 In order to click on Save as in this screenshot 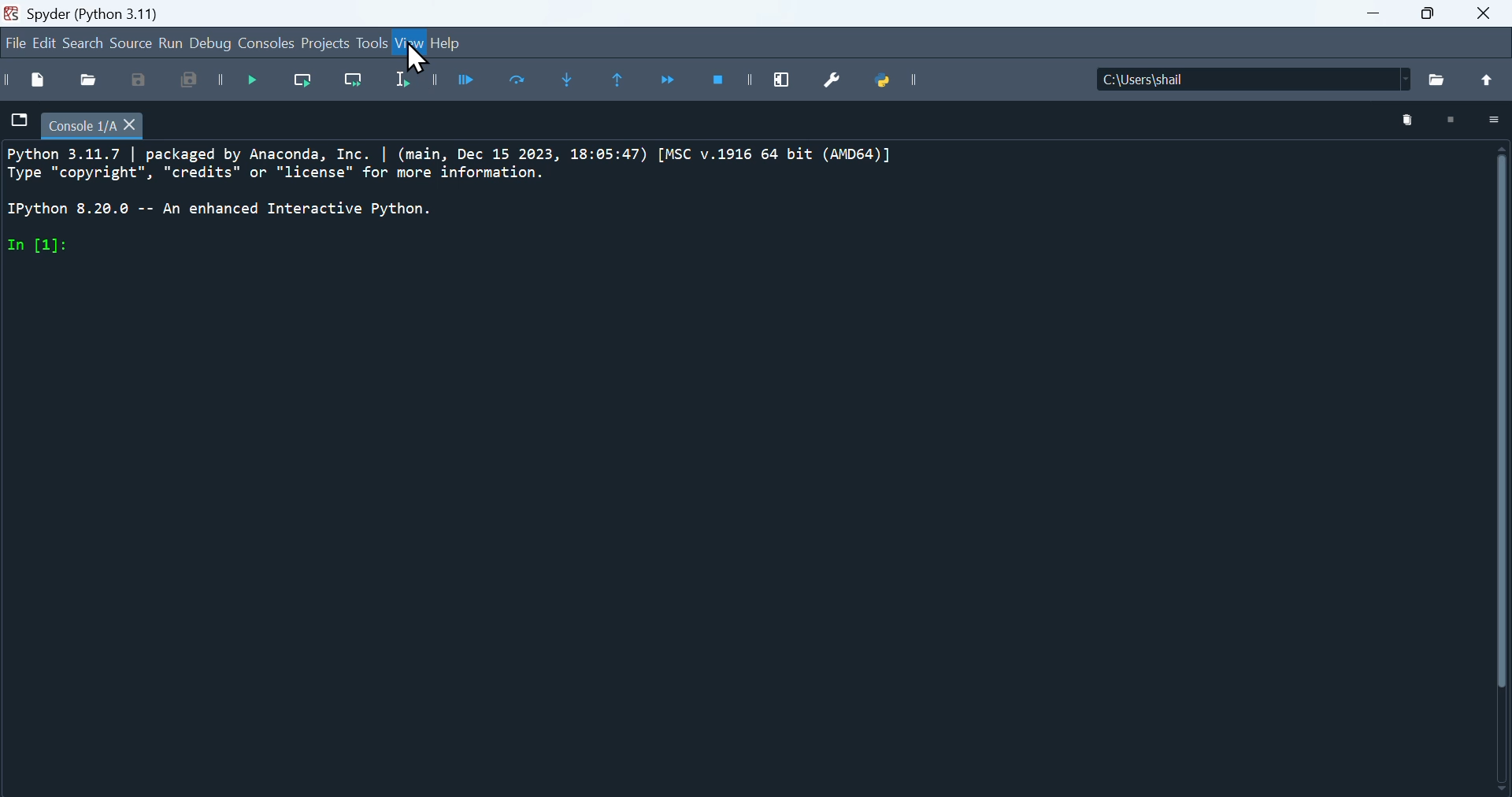, I will do `click(136, 80)`.